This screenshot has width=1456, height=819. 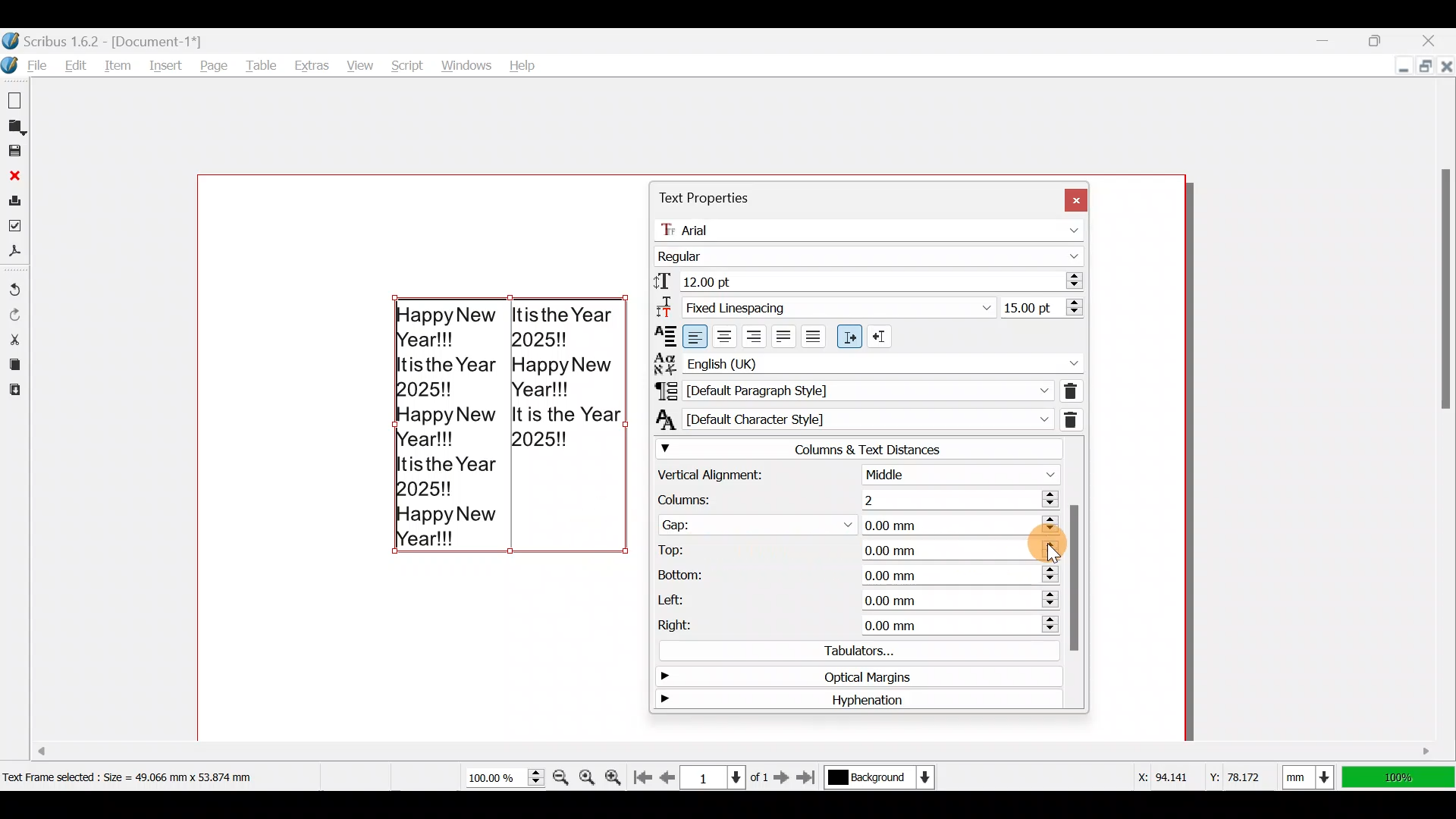 I want to click on Remove direct character formatting, so click(x=1073, y=418).